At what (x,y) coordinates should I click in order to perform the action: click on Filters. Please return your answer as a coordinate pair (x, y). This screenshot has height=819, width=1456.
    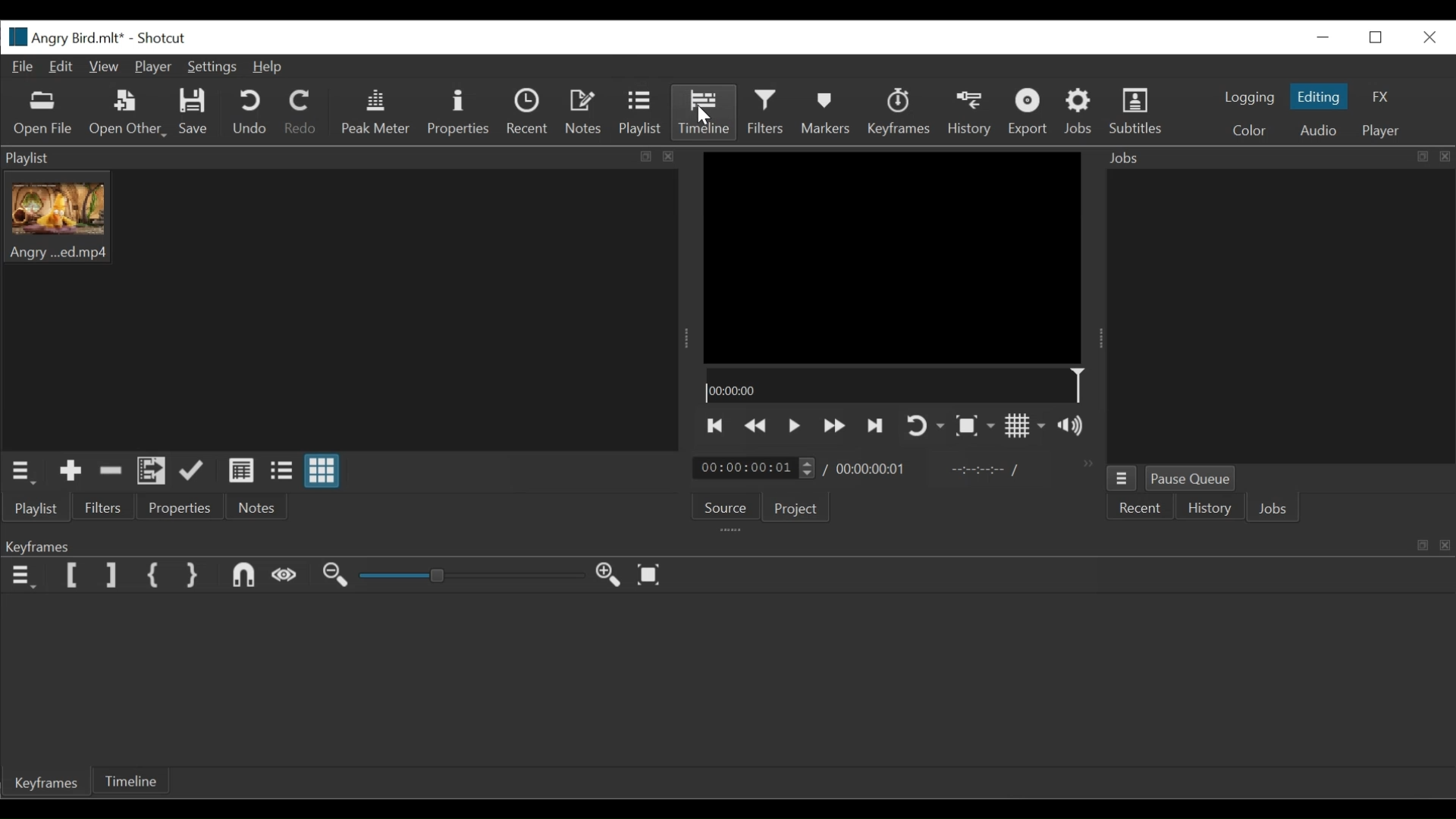
    Looking at the image, I should click on (102, 510).